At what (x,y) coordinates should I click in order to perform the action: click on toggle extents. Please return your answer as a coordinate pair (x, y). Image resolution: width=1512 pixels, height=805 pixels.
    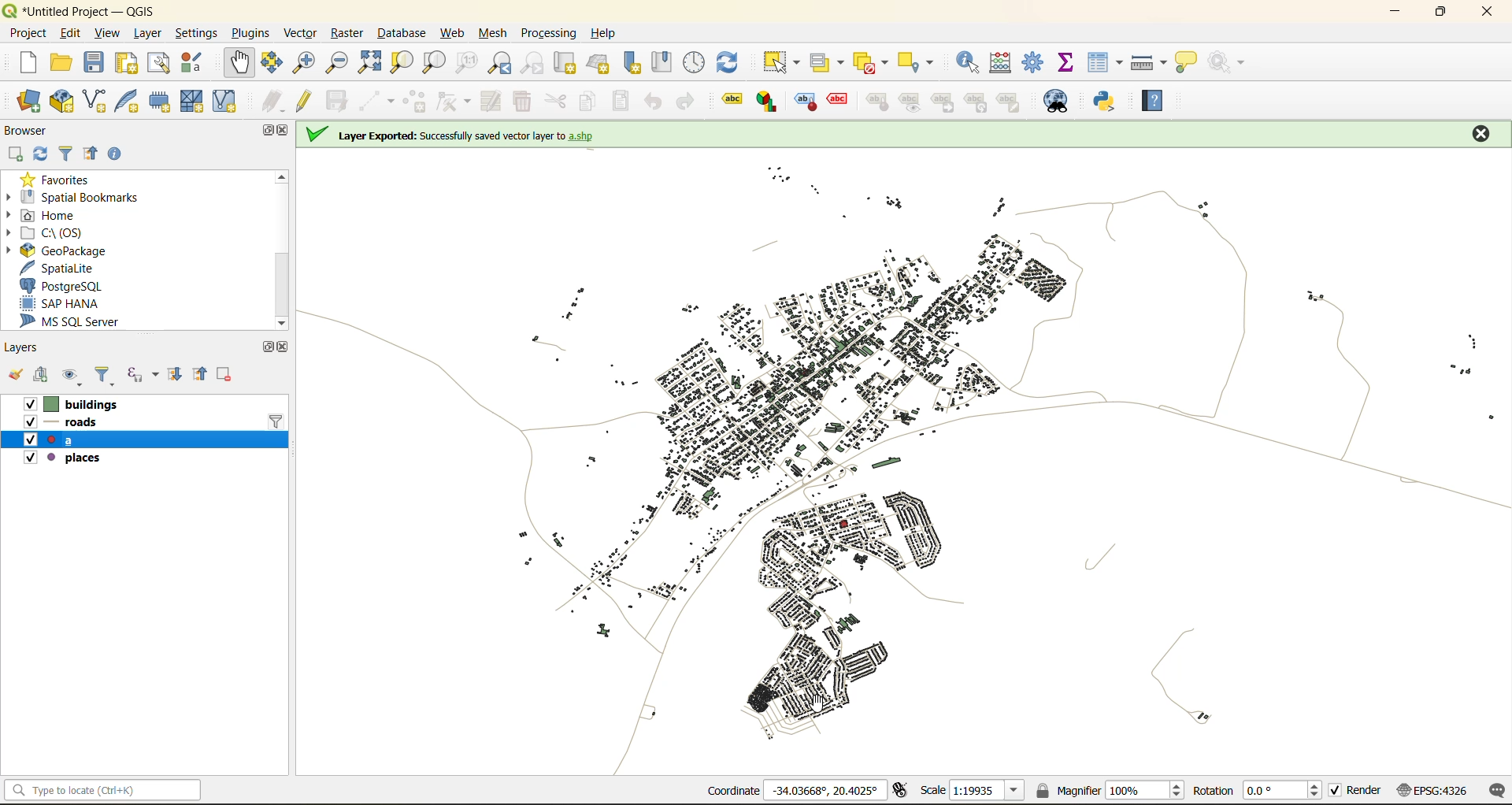
    Looking at the image, I should click on (902, 790).